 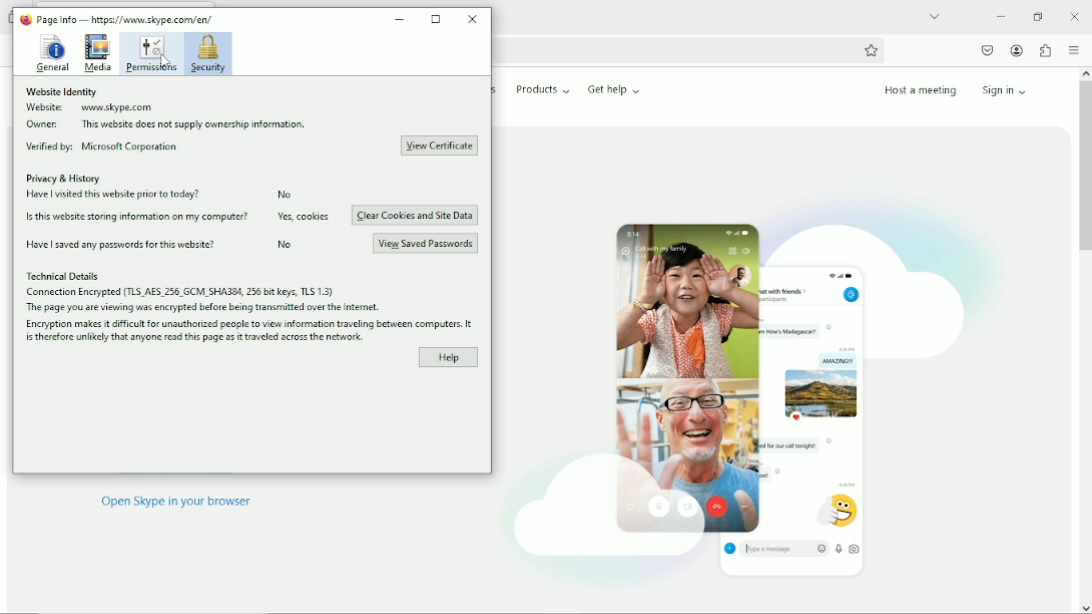 What do you see at coordinates (1084, 607) in the screenshot?
I see `scroll down` at bounding box center [1084, 607].